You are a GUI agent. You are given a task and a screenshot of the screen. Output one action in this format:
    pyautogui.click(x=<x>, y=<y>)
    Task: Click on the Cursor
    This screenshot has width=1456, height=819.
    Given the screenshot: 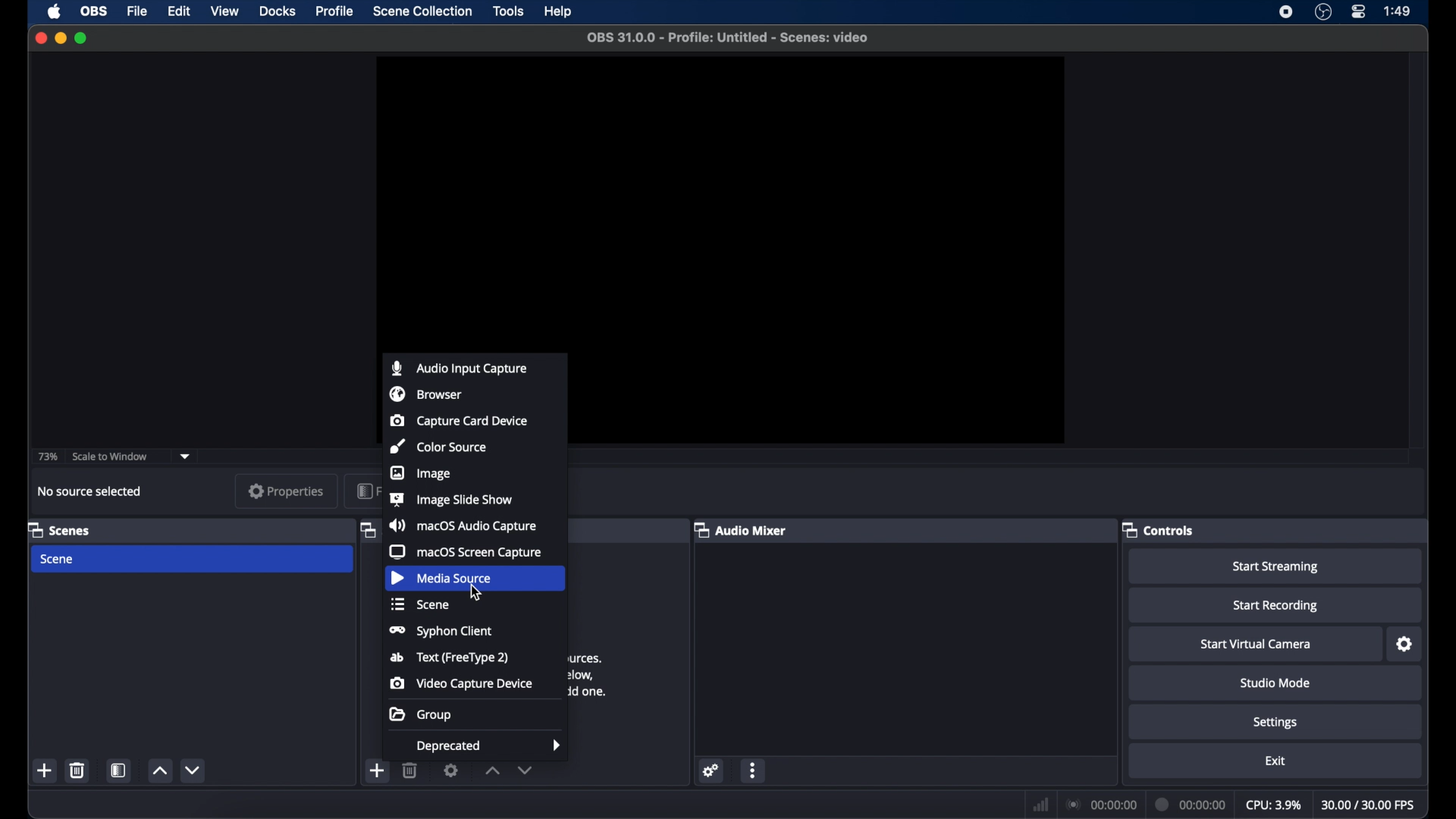 What is the action you would take?
    pyautogui.click(x=476, y=592)
    